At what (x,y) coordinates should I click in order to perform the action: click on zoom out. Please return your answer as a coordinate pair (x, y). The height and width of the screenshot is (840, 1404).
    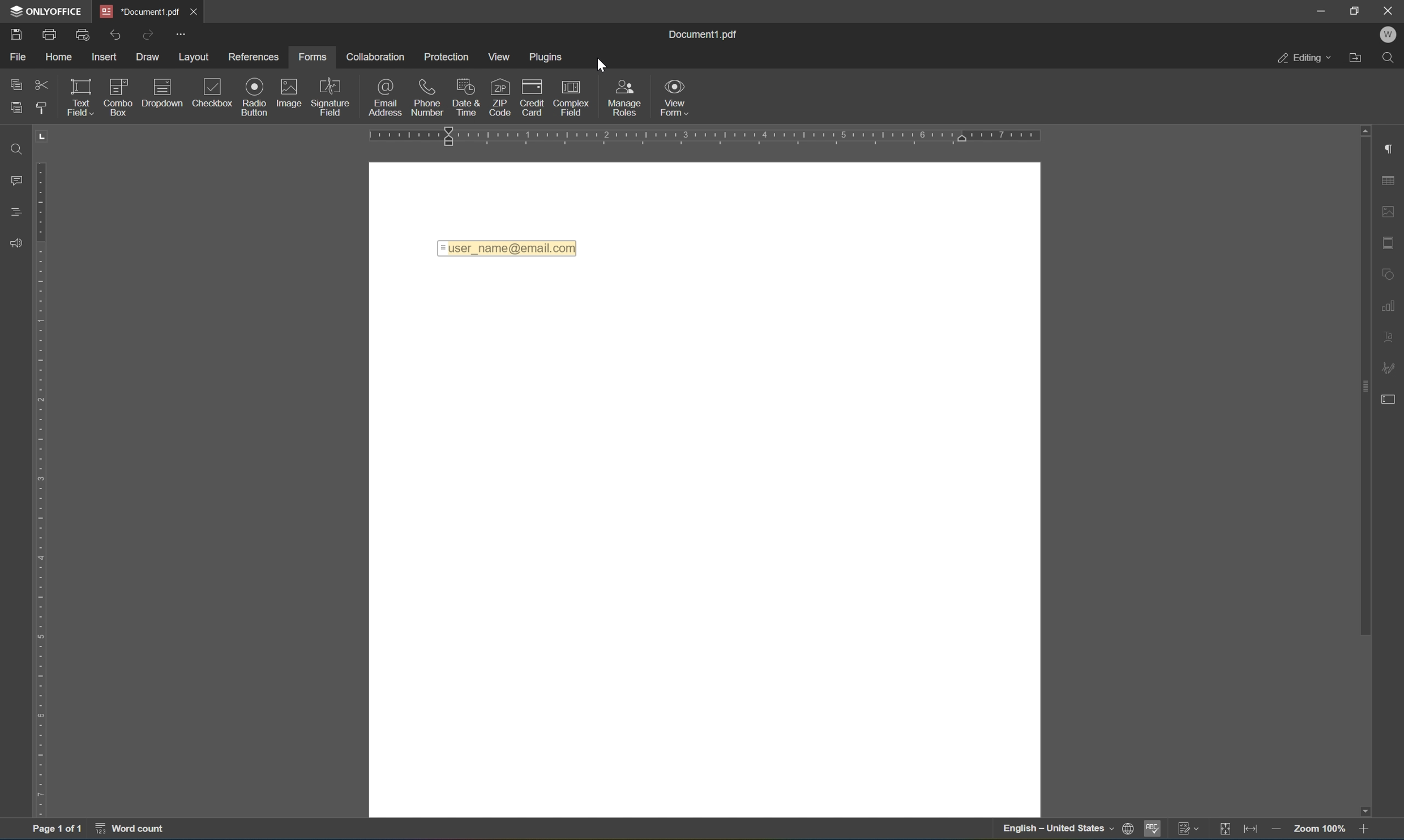
    Looking at the image, I should click on (1275, 832).